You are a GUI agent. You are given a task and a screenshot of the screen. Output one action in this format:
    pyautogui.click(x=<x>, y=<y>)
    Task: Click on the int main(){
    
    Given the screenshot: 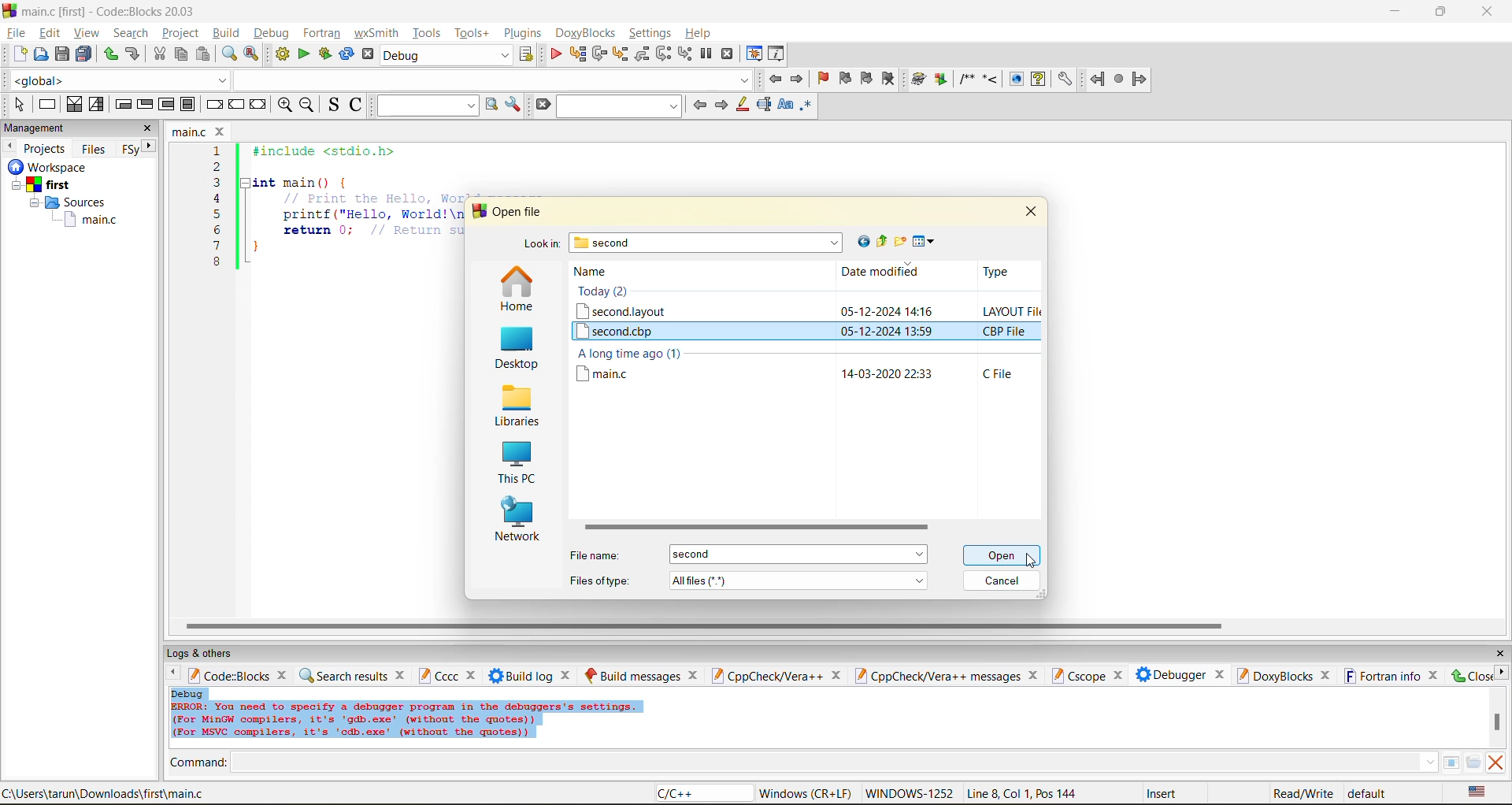 What is the action you would take?
    pyautogui.click(x=312, y=182)
    